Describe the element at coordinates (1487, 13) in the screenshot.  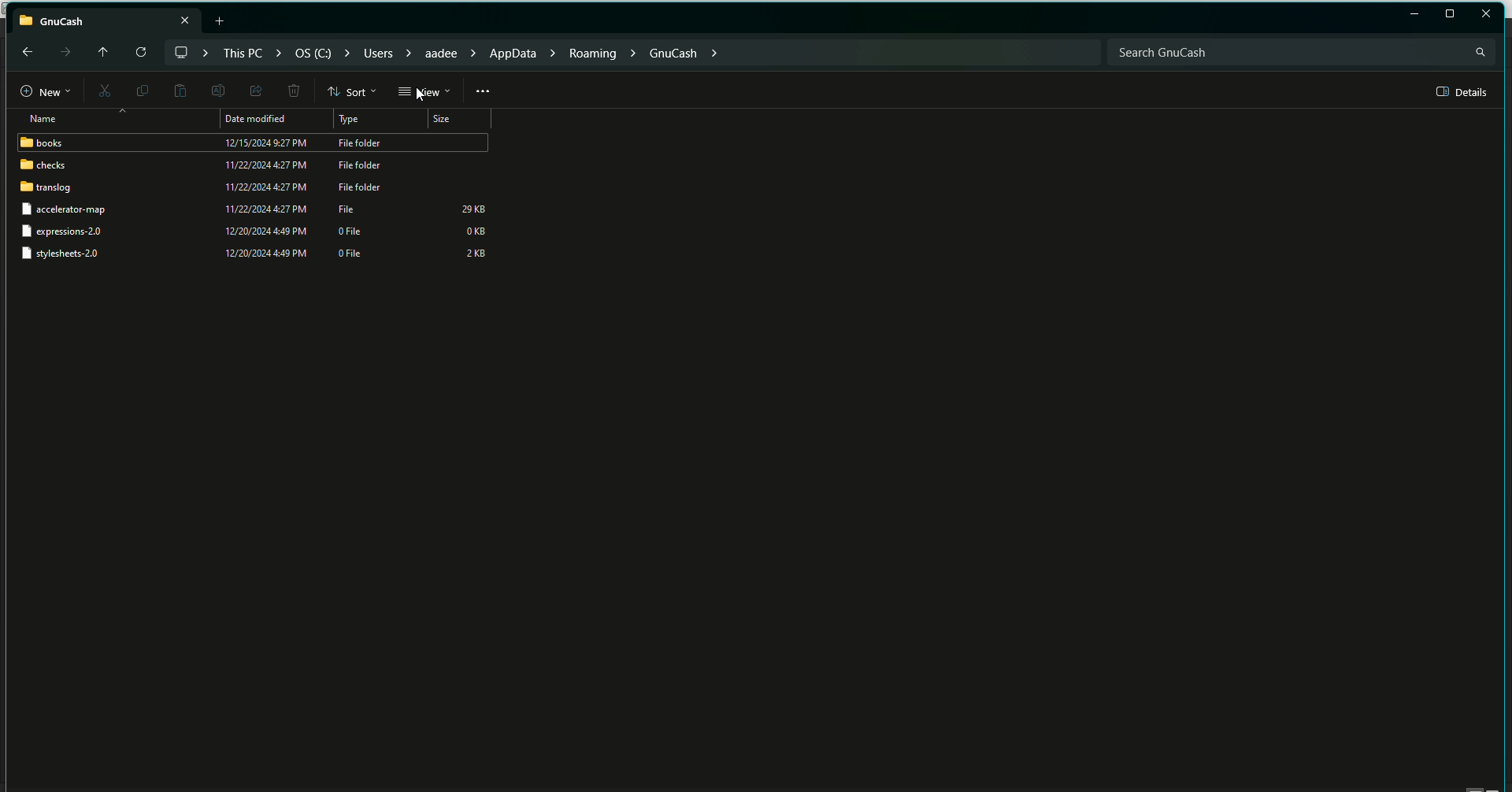
I see `Close` at that location.